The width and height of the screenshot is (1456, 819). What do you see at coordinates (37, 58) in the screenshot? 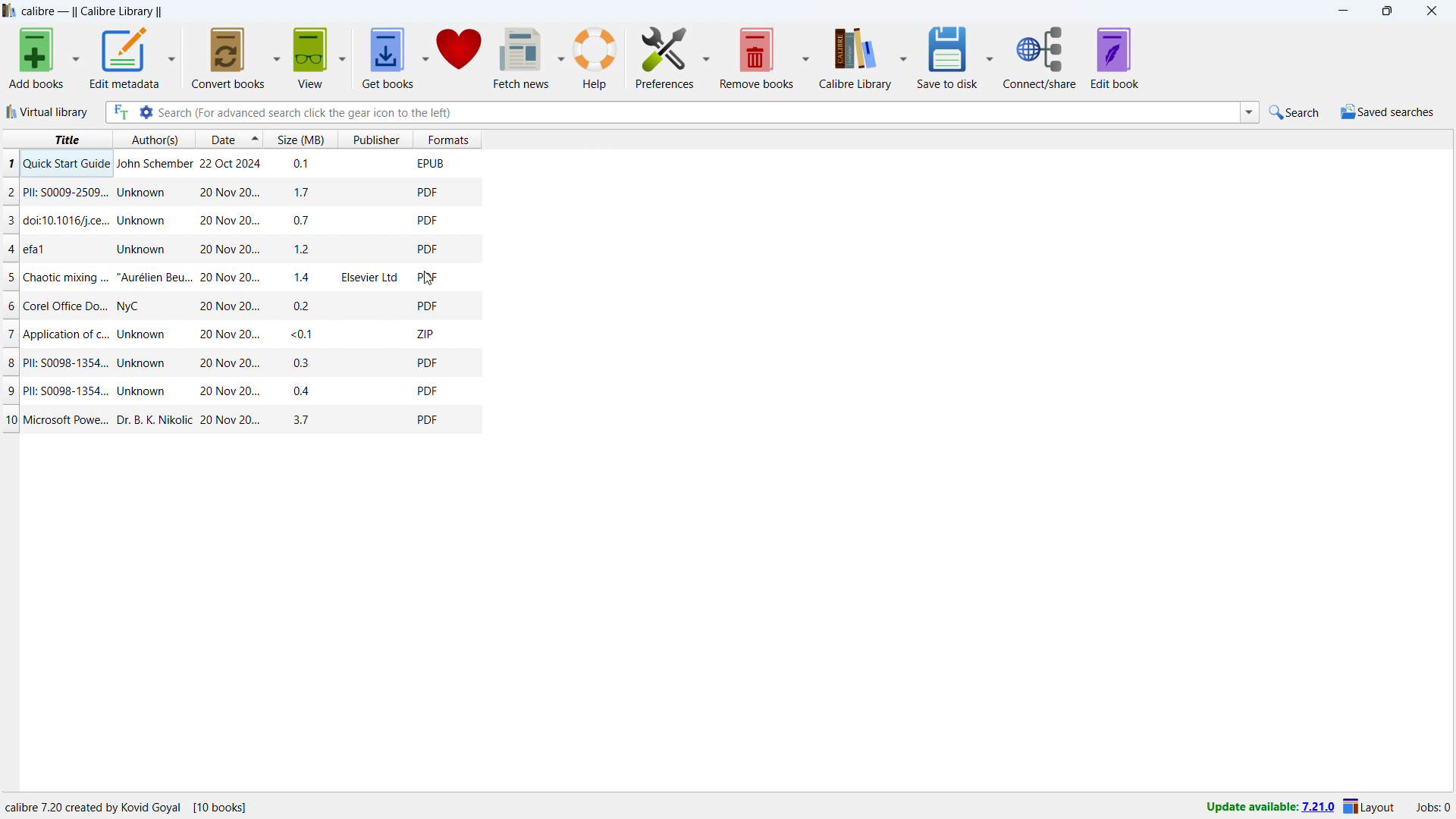
I see `add books` at bounding box center [37, 58].